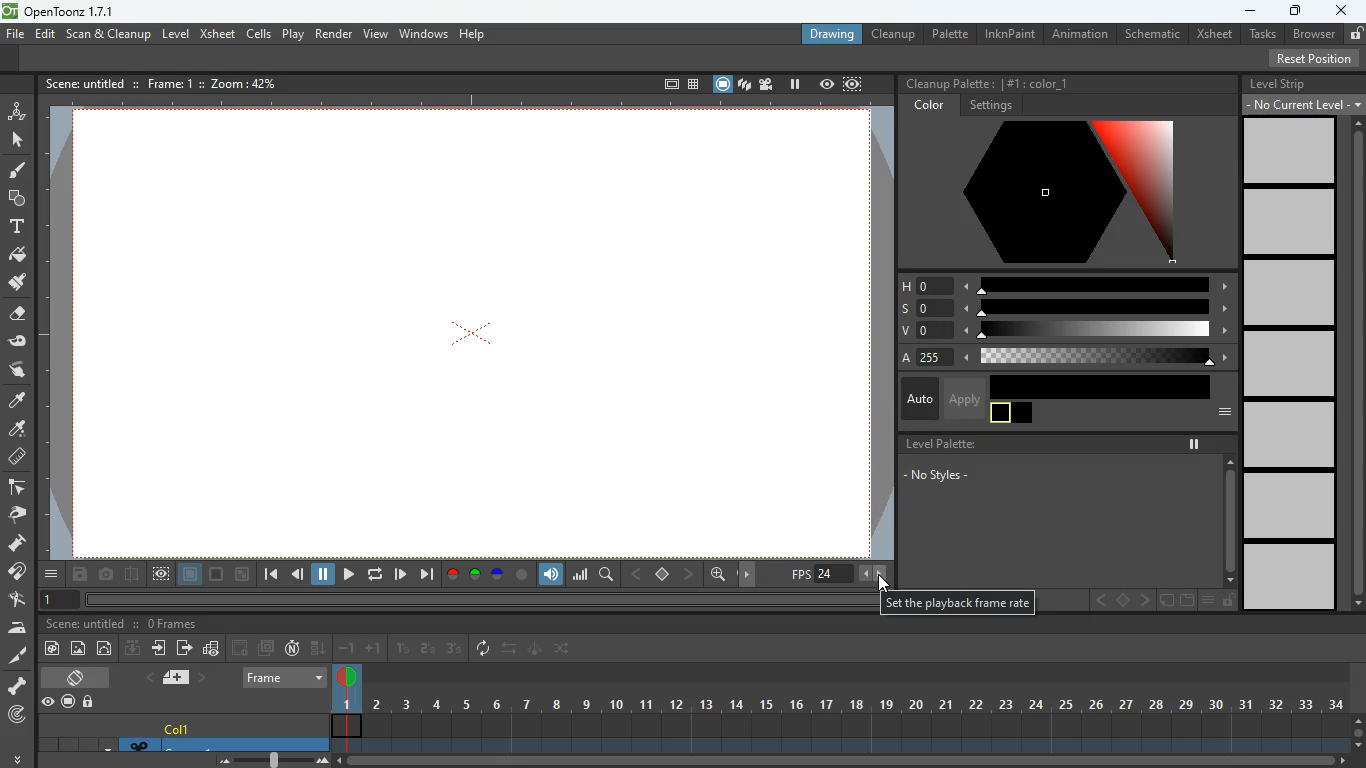 The width and height of the screenshot is (1366, 768). I want to click on radar, so click(15, 715).